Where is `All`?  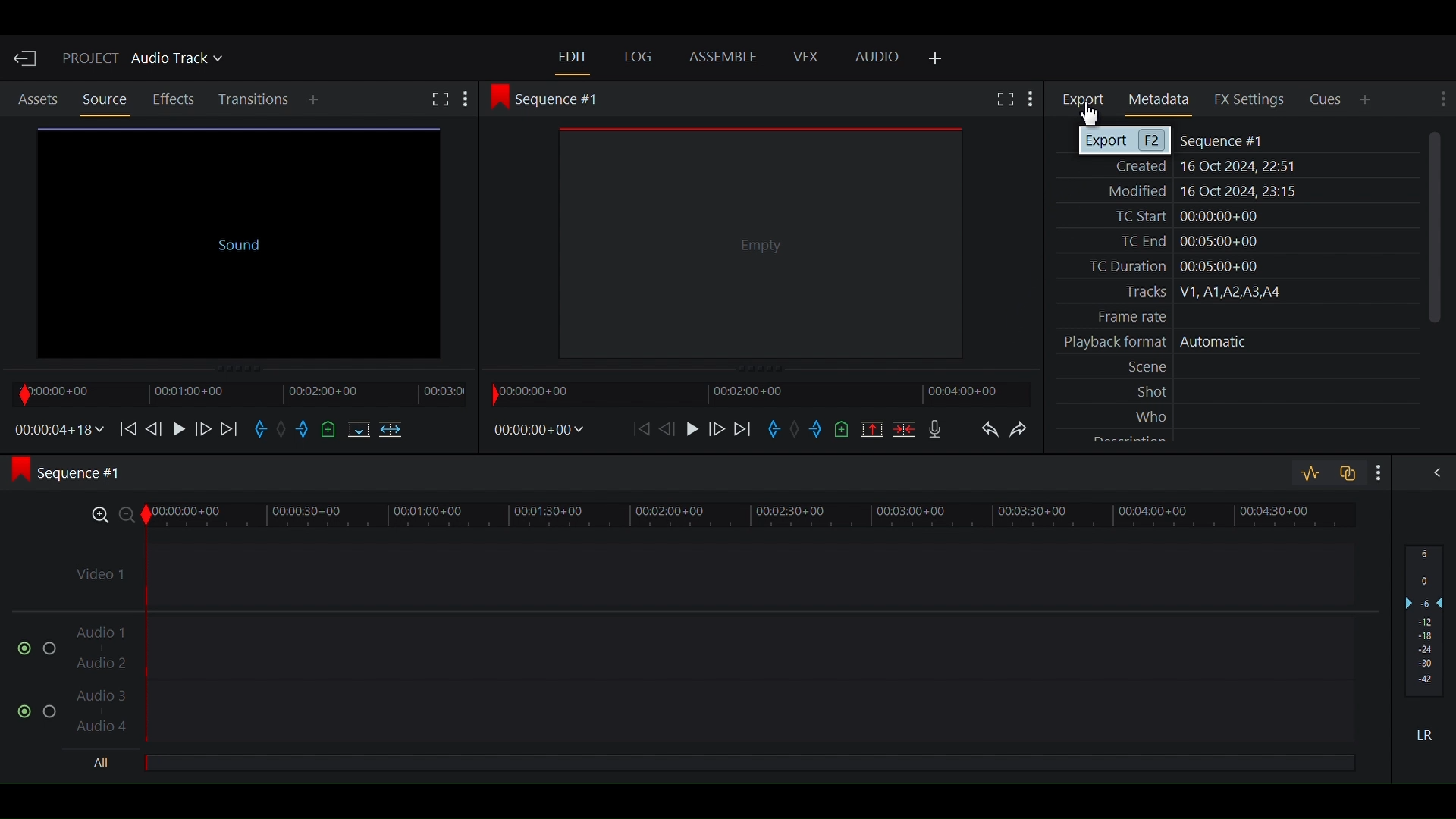
All is located at coordinates (105, 764).